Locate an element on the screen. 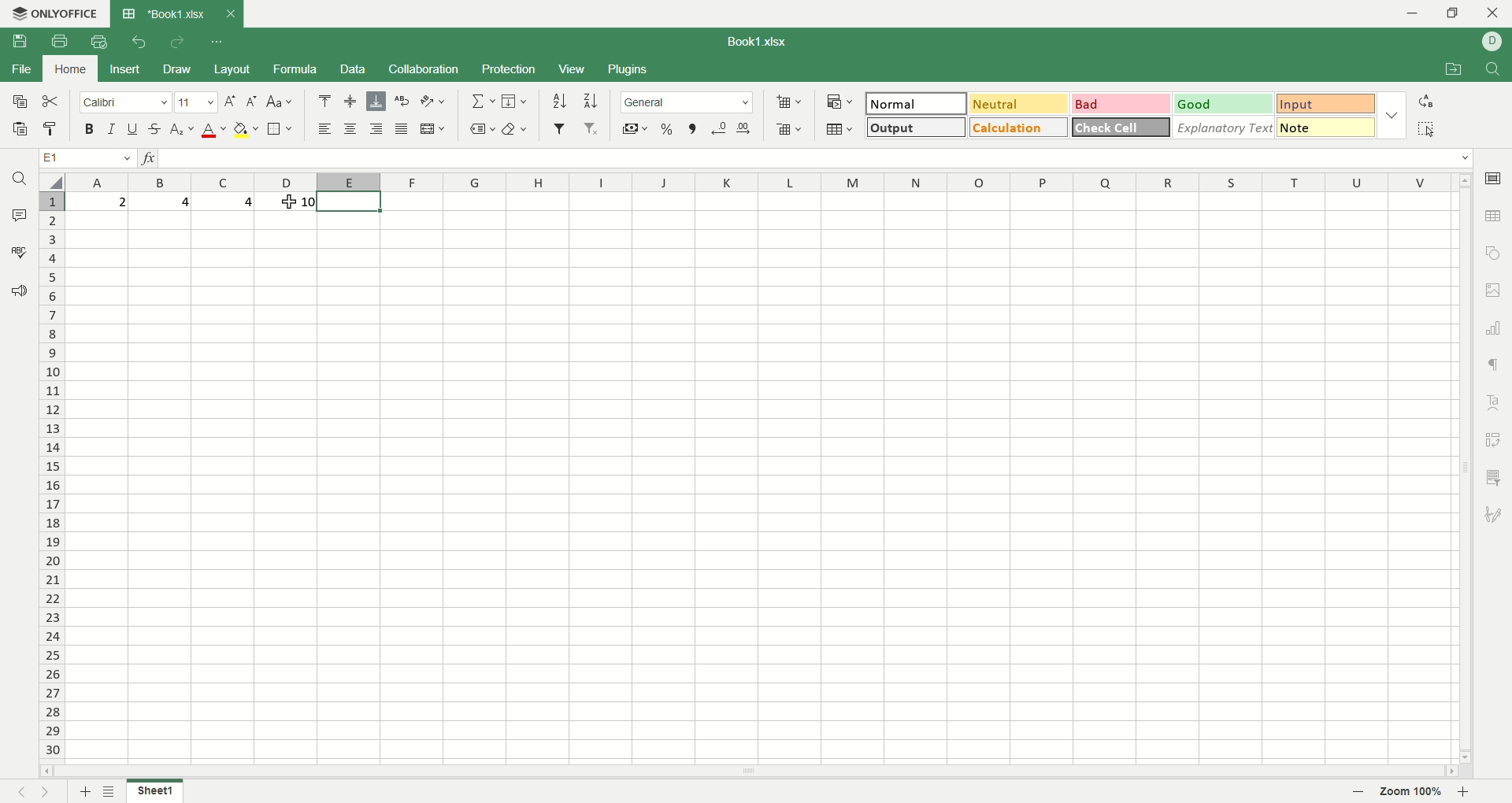 The width and height of the screenshot is (1512, 803). input is located at coordinates (1325, 102).